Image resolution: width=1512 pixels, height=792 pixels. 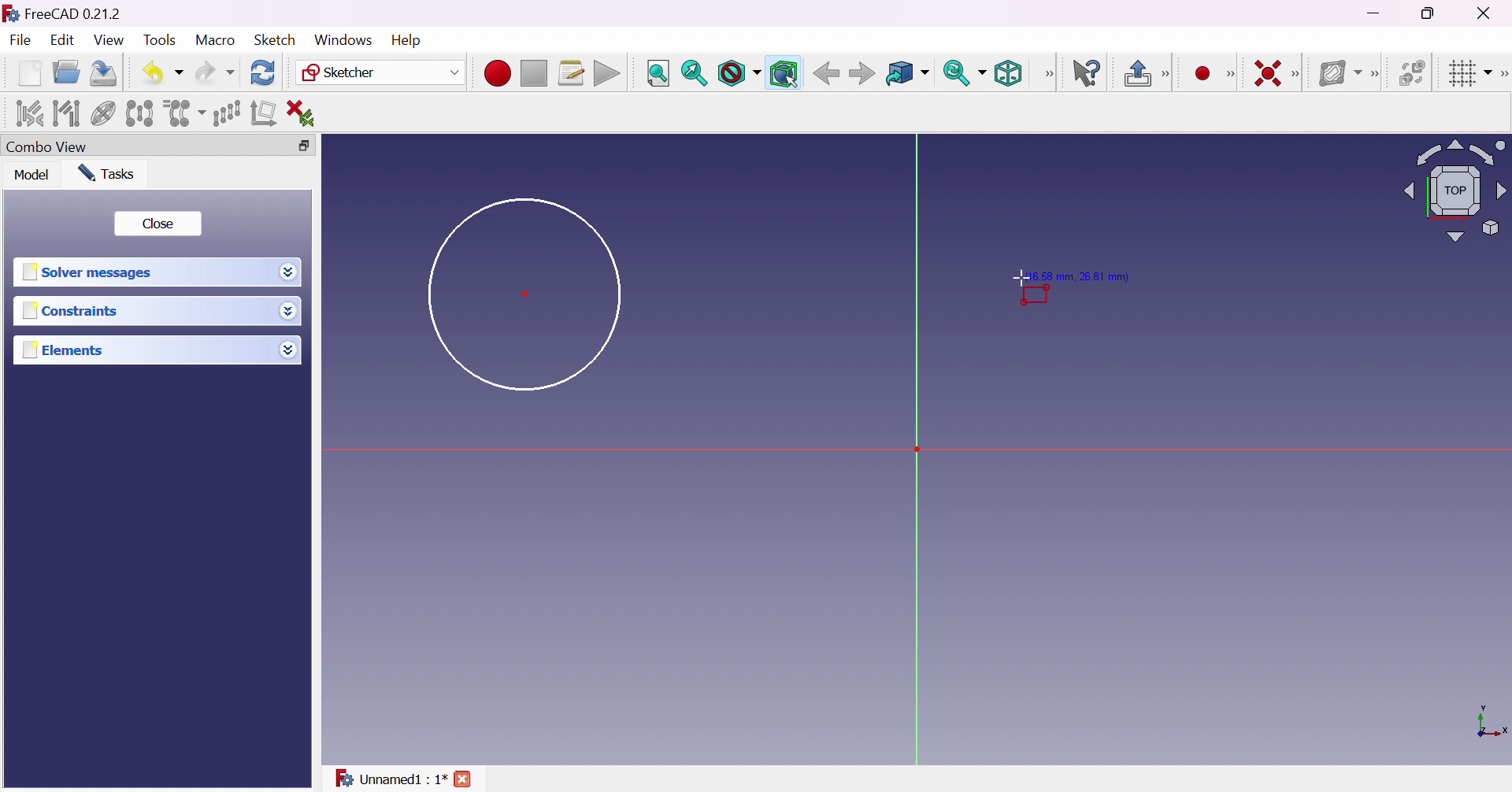 What do you see at coordinates (183, 112) in the screenshot?
I see `Clone` at bounding box center [183, 112].